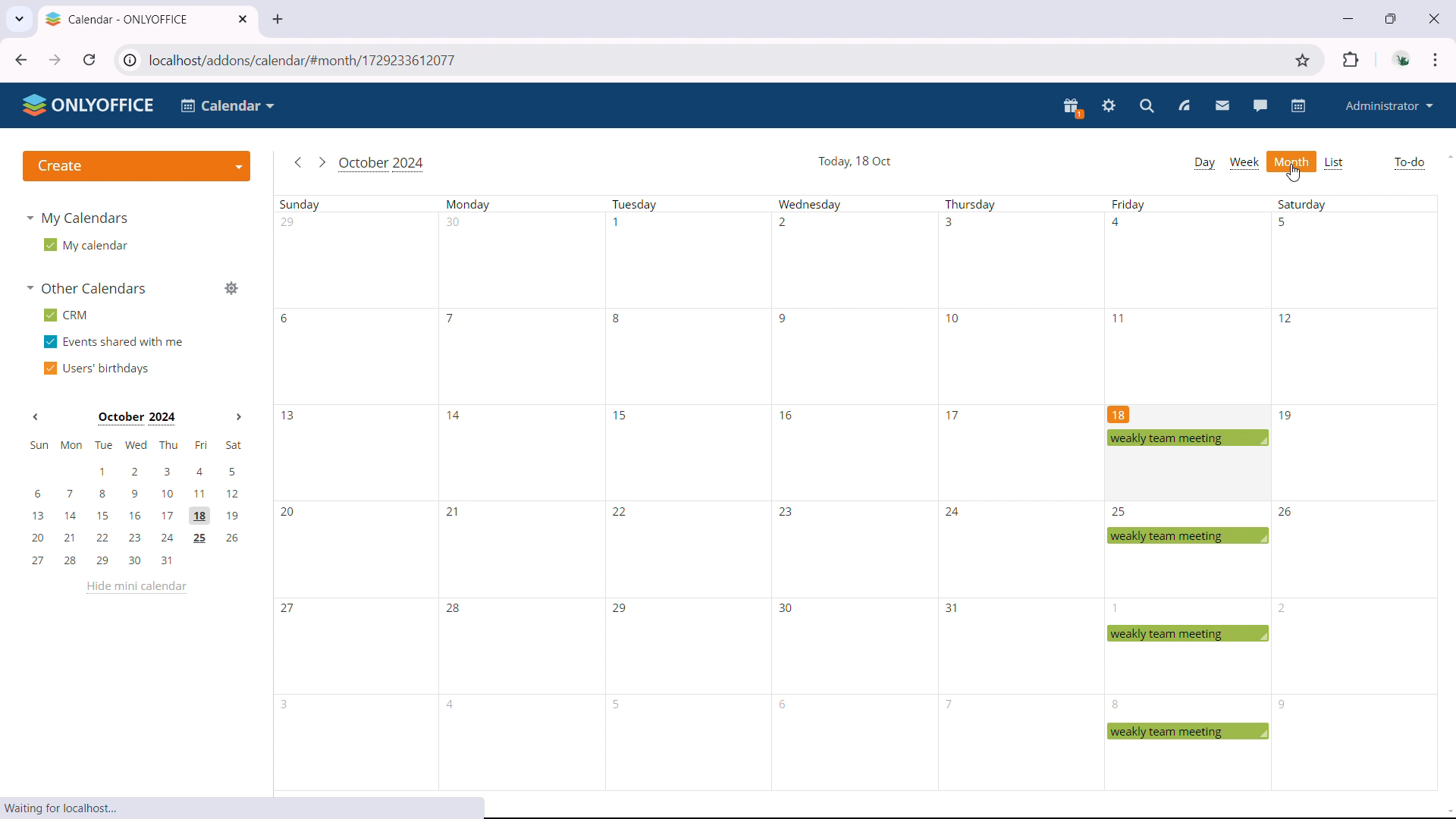 The image size is (1456, 819). I want to click on create, so click(136, 167).